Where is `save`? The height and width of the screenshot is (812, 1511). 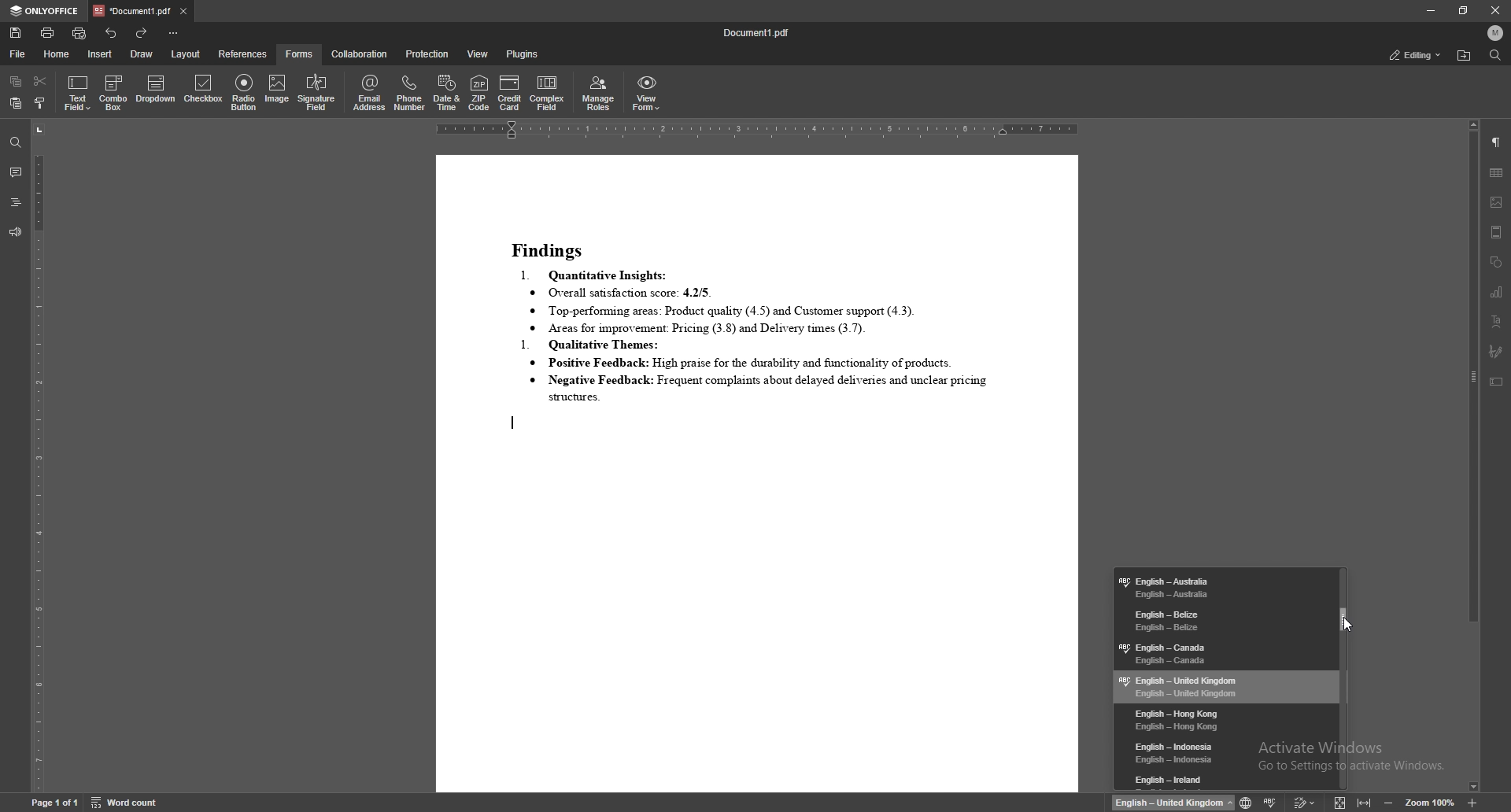
save is located at coordinates (16, 33).